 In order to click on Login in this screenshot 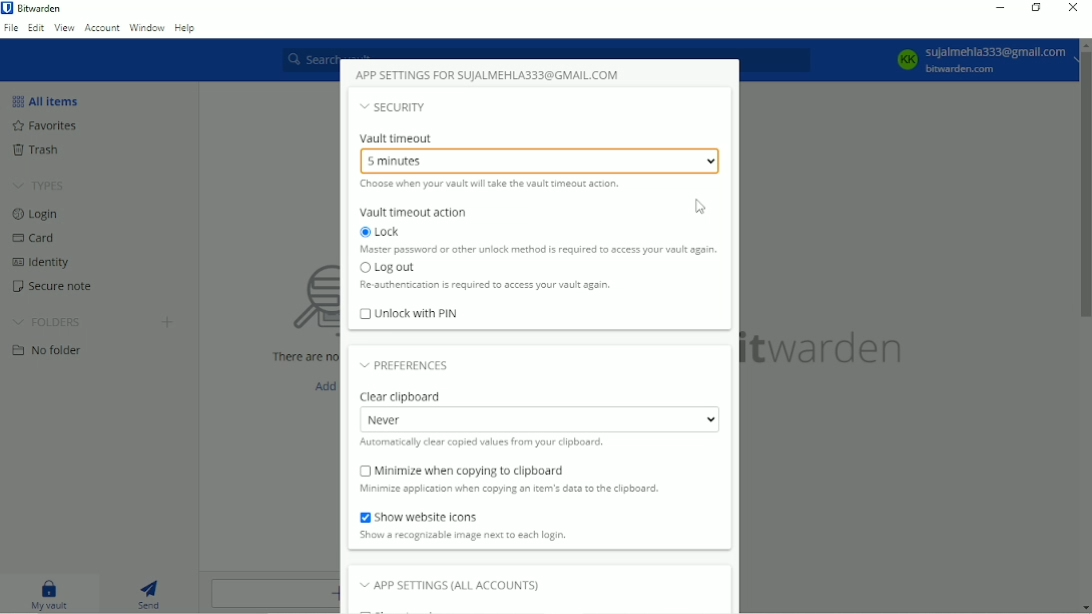, I will do `click(35, 215)`.